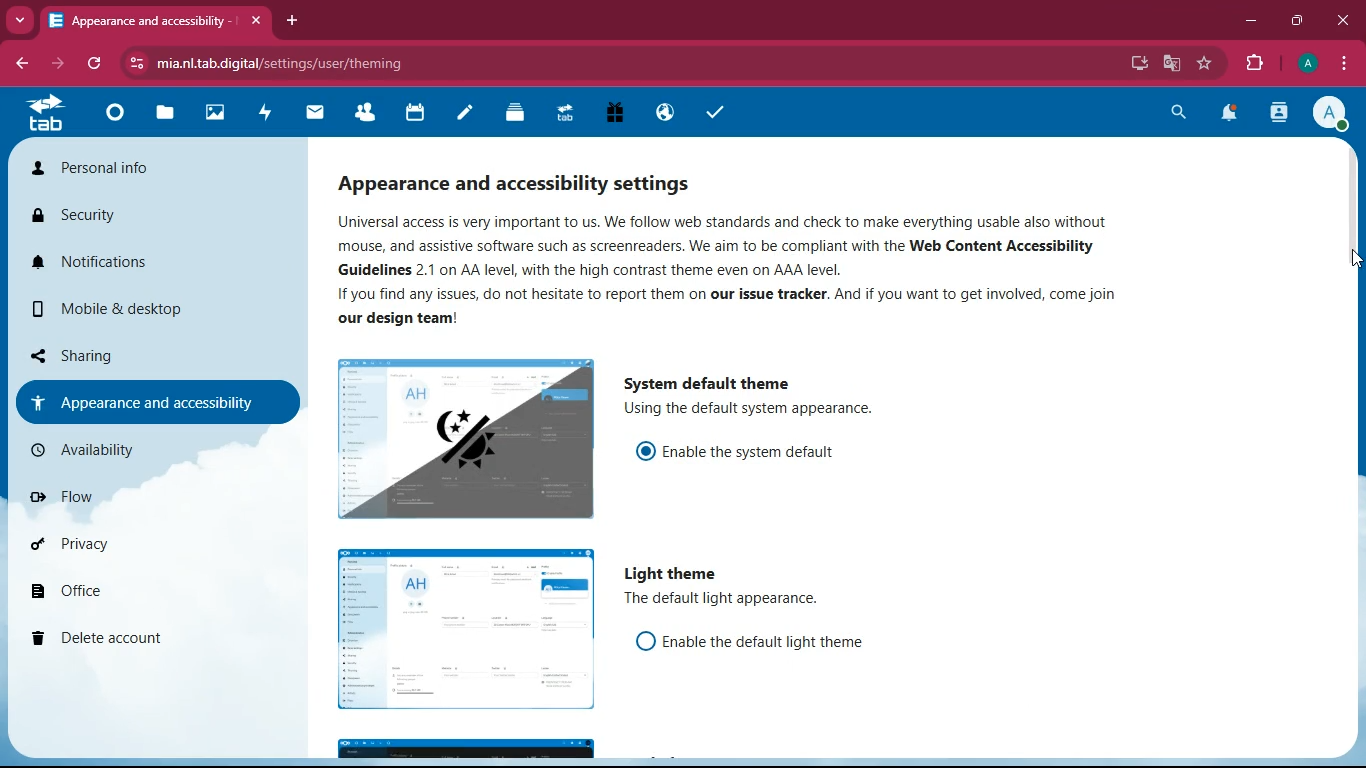 The image size is (1366, 768). Describe the element at coordinates (1339, 263) in the screenshot. I see `cursor` at that location.